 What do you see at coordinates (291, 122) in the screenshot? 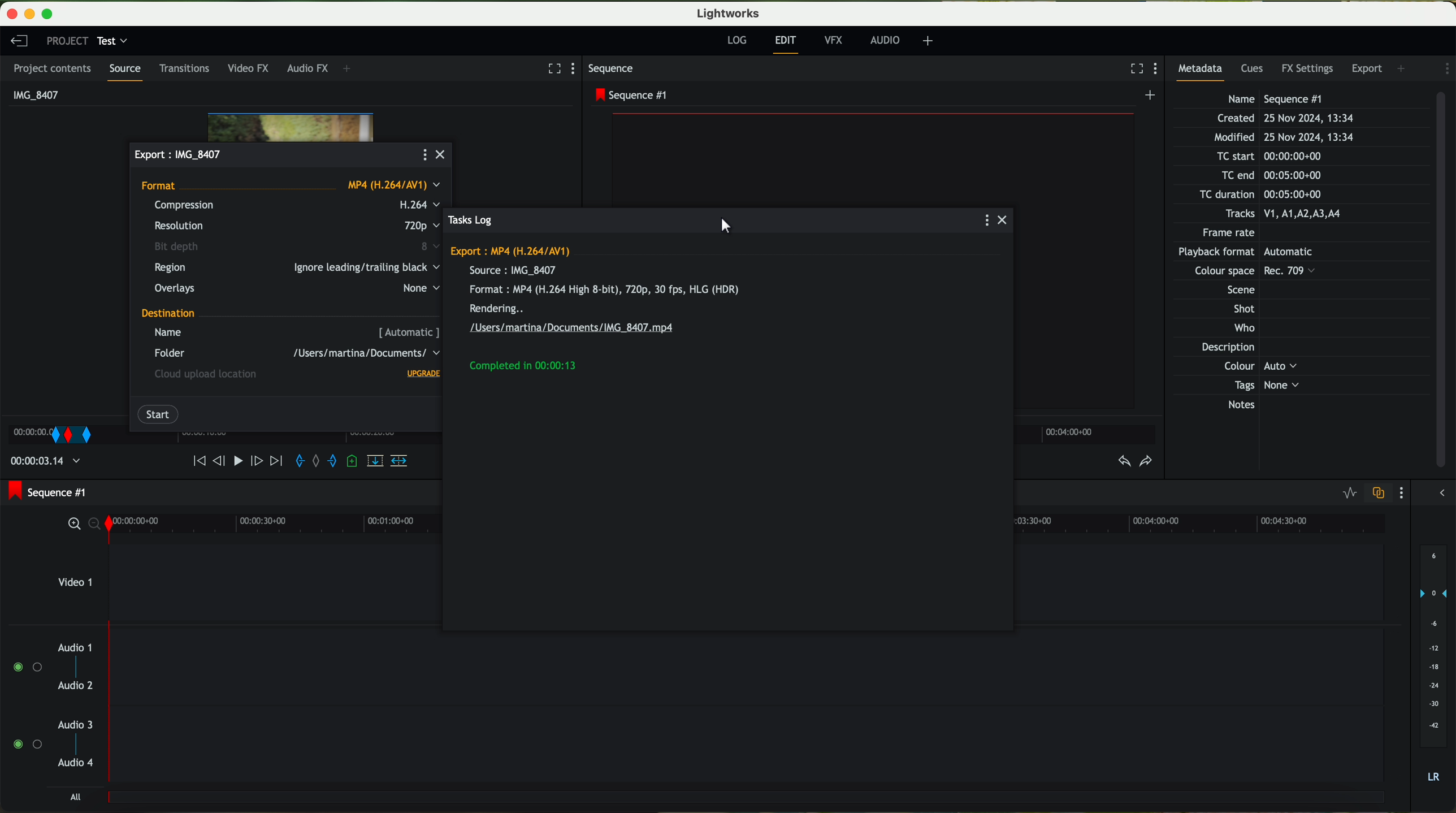
I see `Video` at bounding box center [291, 122].